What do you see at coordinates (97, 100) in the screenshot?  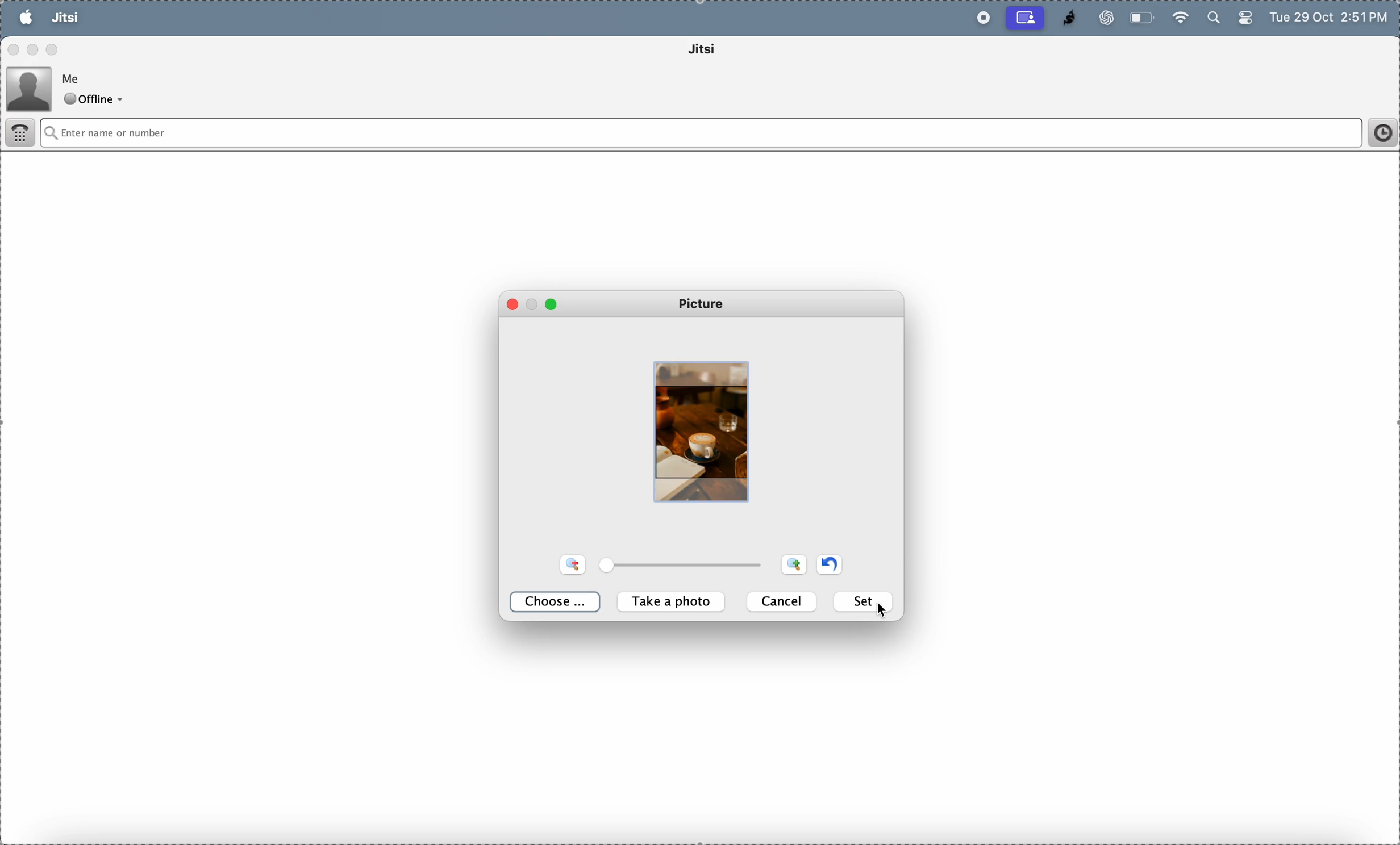 I see `offline` at bounding box center [97, 100].